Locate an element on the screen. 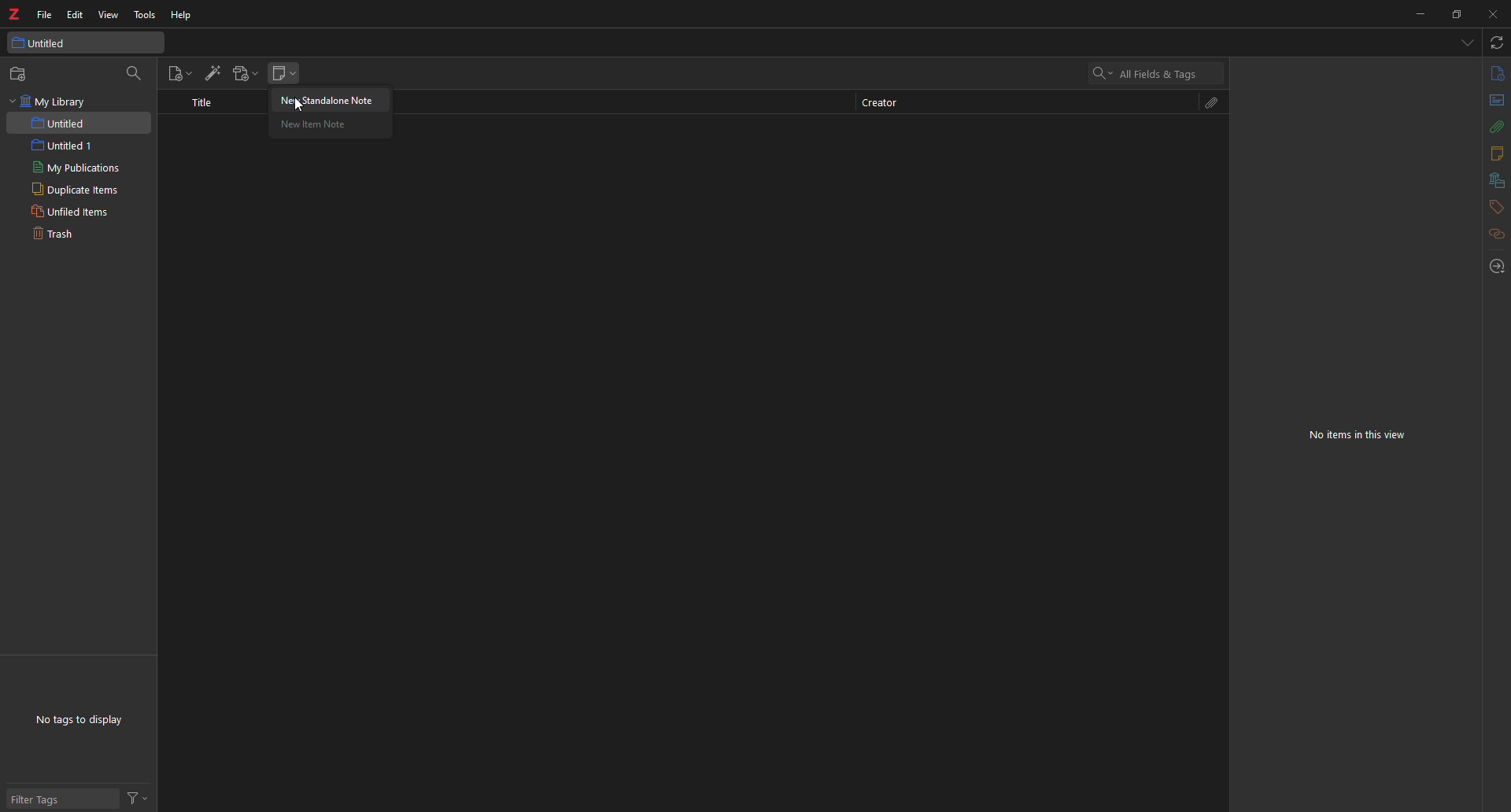 The image size is (1511, 812). add attachment is located at coordinates (247, 72).